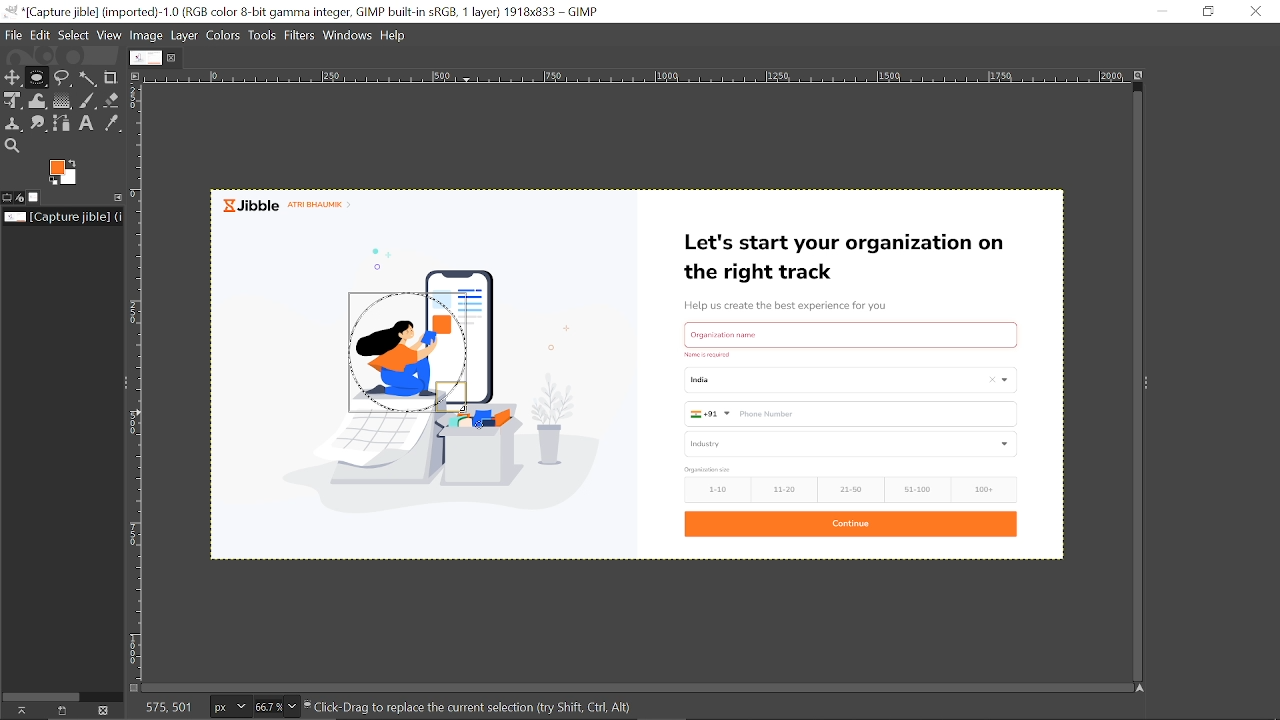  What do you see at coordinates (403, 351) in the screenshot?
I see `Circular selection created` at bounding box center [403, 351].